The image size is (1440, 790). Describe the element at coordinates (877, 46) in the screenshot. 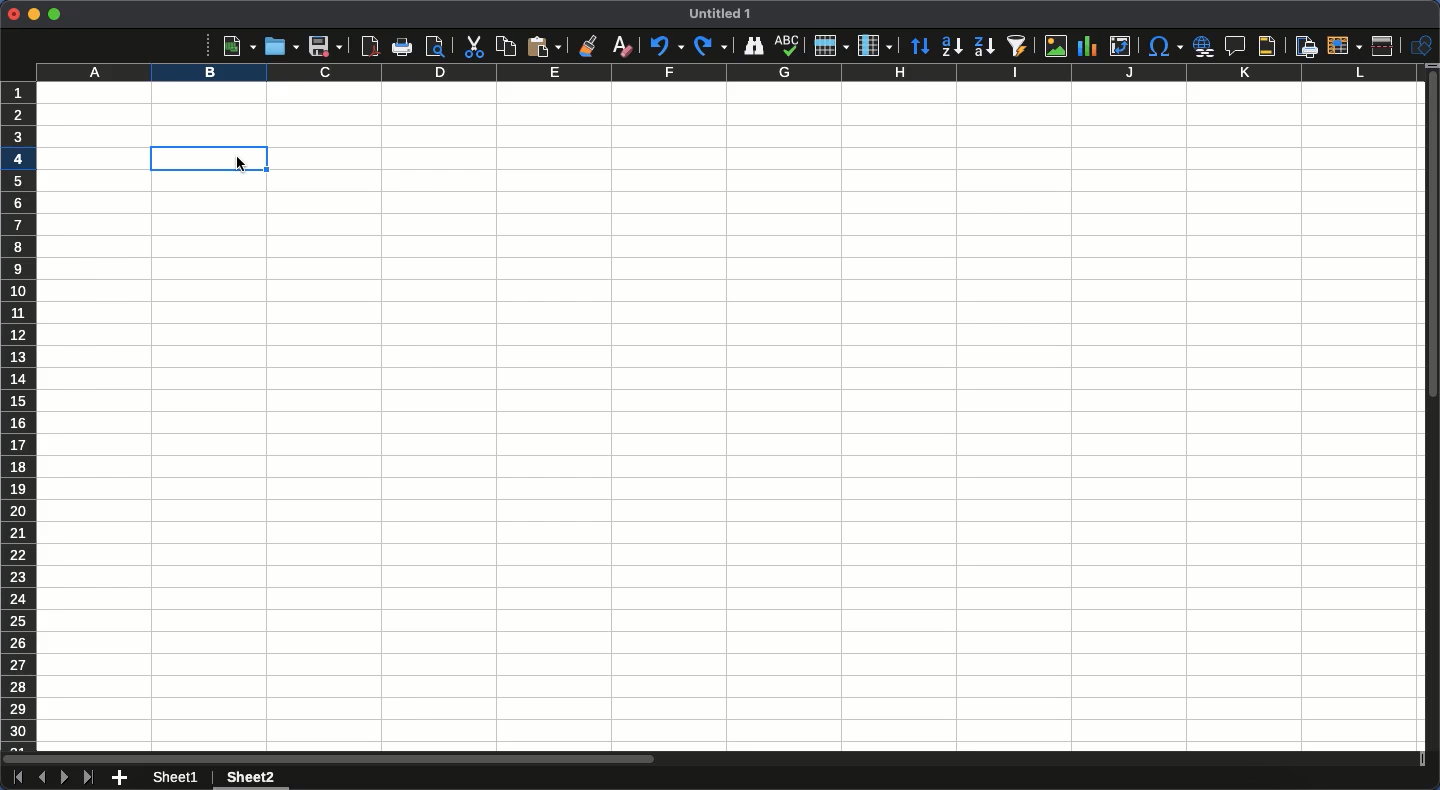

I see `Column` at that location.